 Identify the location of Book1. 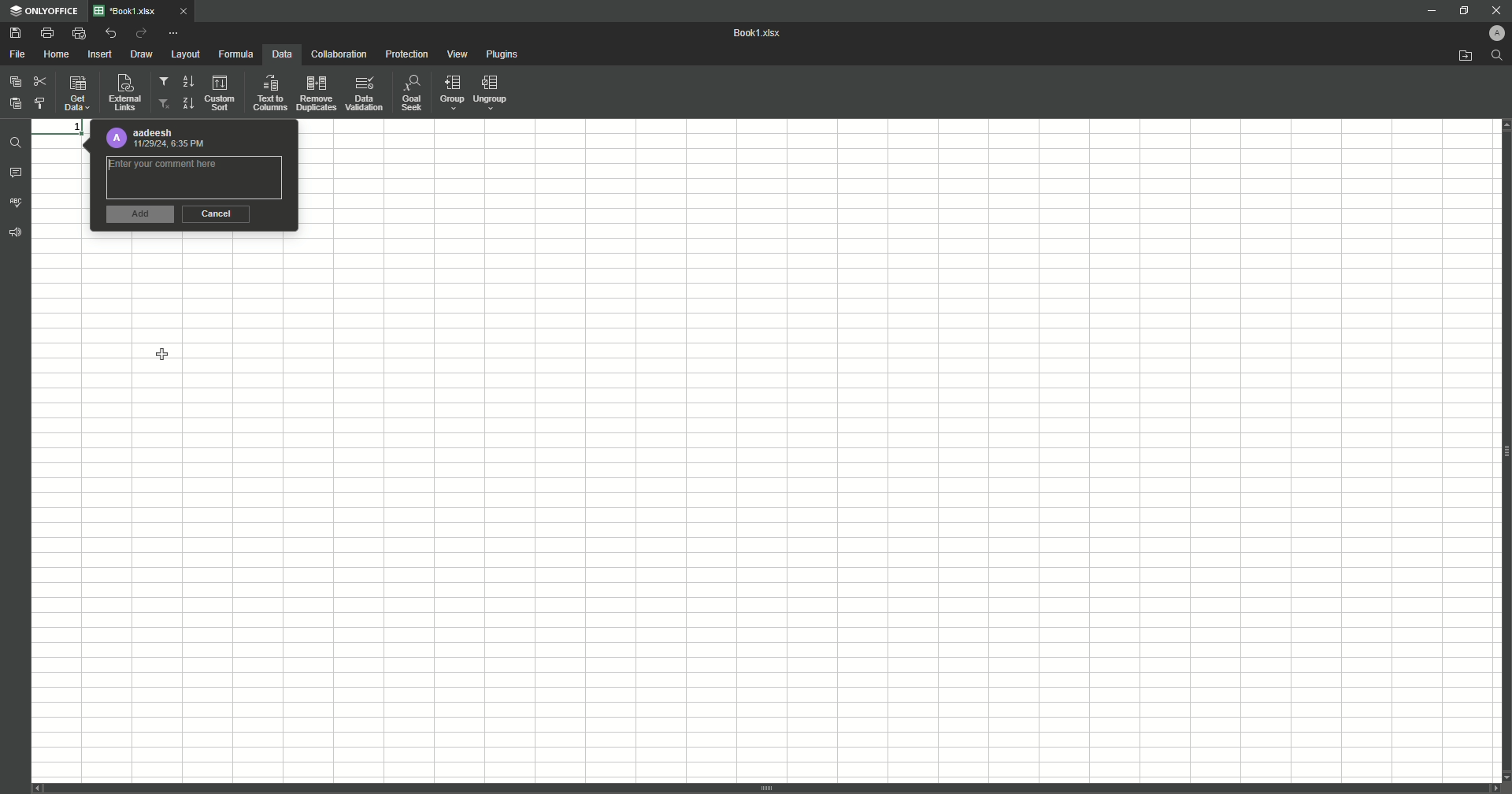
(762, 34).